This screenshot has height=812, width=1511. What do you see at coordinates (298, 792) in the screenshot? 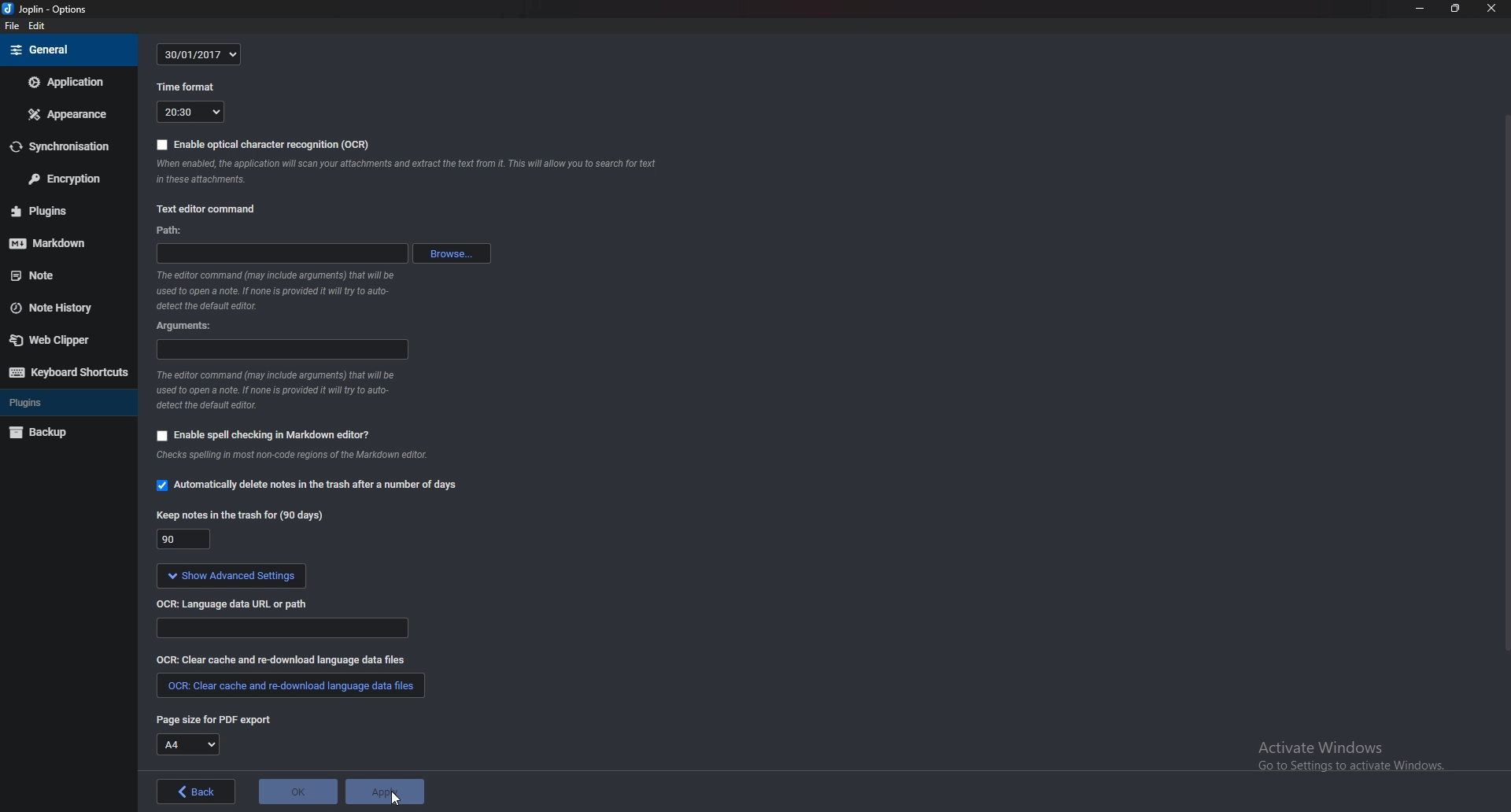
I see `O K` at bounding box center [298, 792].